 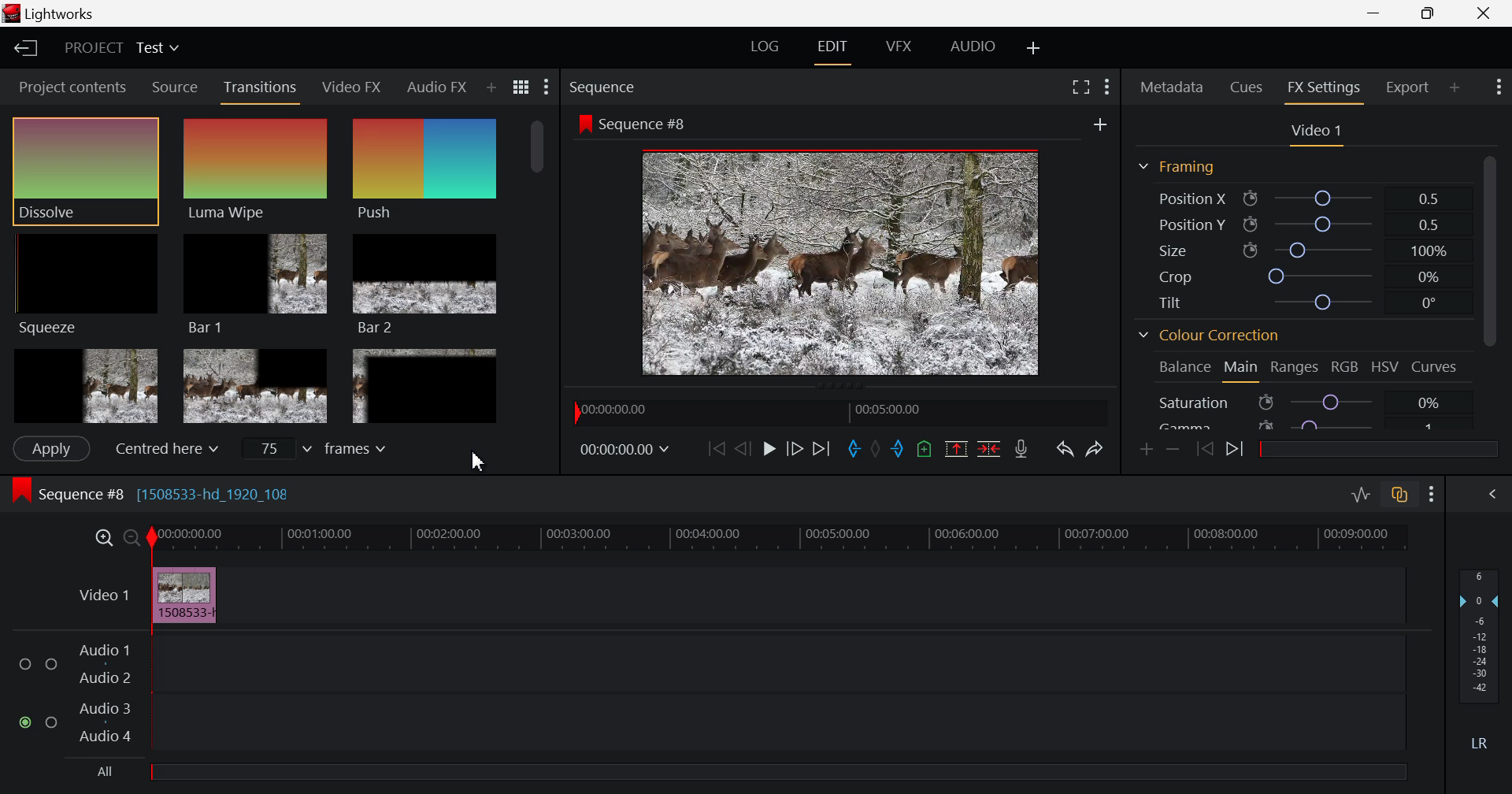 I want to click on show Settings, so click(x=1109, y=88).